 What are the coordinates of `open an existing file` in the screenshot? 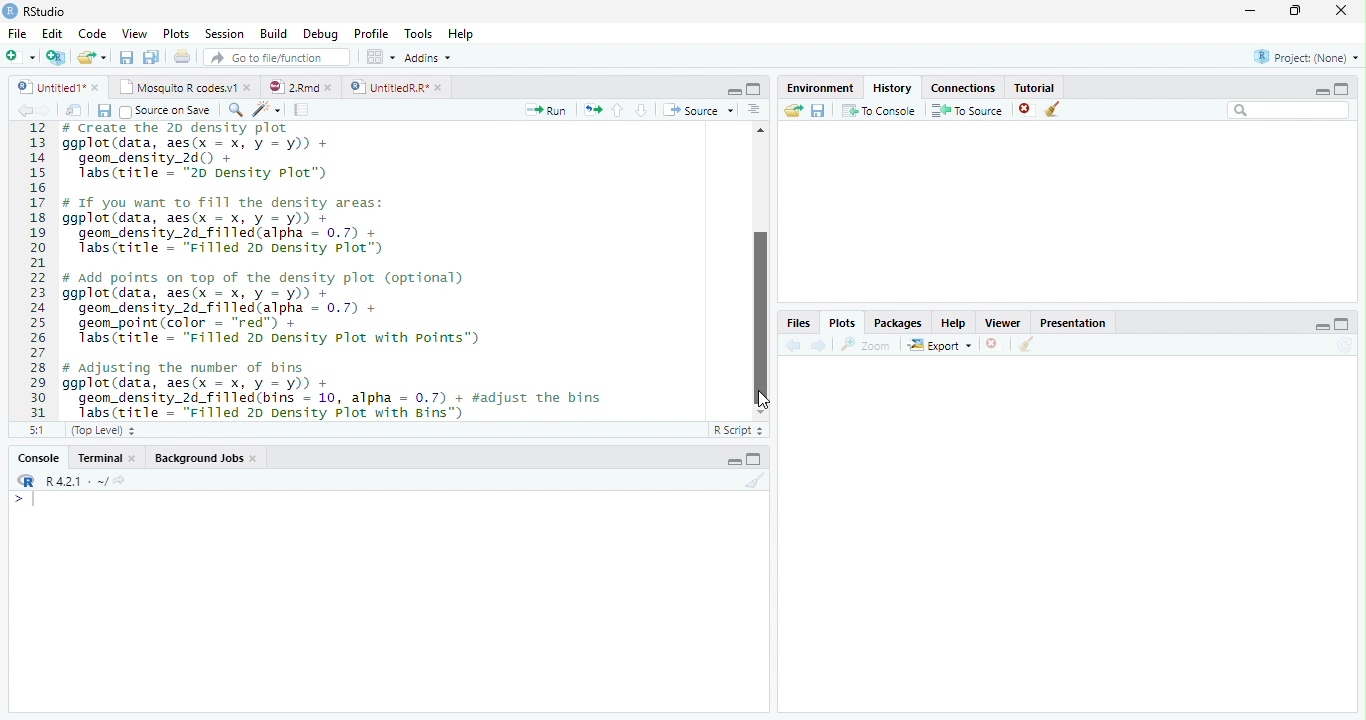 It's located at (90, 57).